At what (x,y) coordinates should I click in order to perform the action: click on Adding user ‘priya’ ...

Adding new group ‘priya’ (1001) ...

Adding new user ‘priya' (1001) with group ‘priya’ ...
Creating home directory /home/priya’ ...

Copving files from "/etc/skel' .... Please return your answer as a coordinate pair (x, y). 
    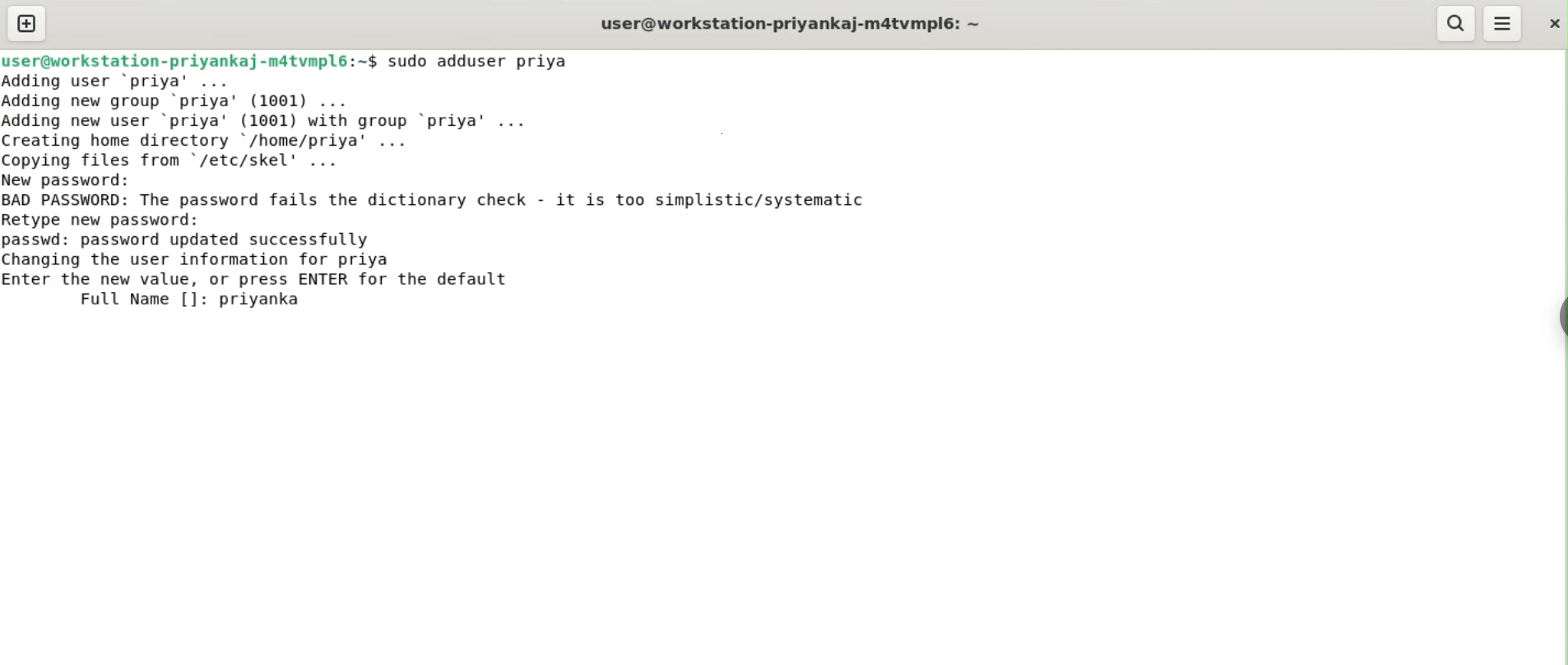
    Looking at the image, I should click on (318, 119).